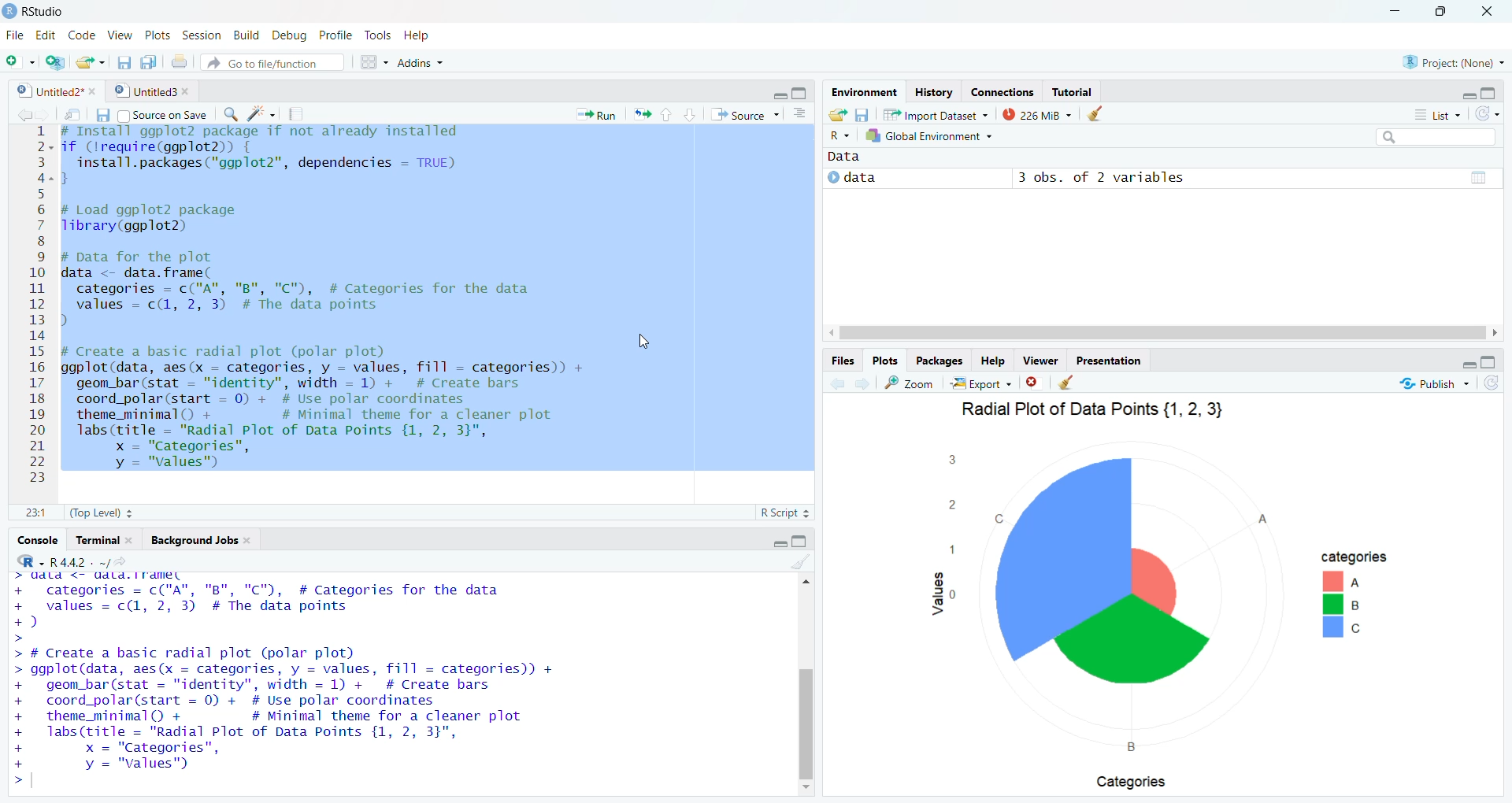 The width and height of the screenshot is (1512, 803). I want to click on Source on Save, so click(151, 115).